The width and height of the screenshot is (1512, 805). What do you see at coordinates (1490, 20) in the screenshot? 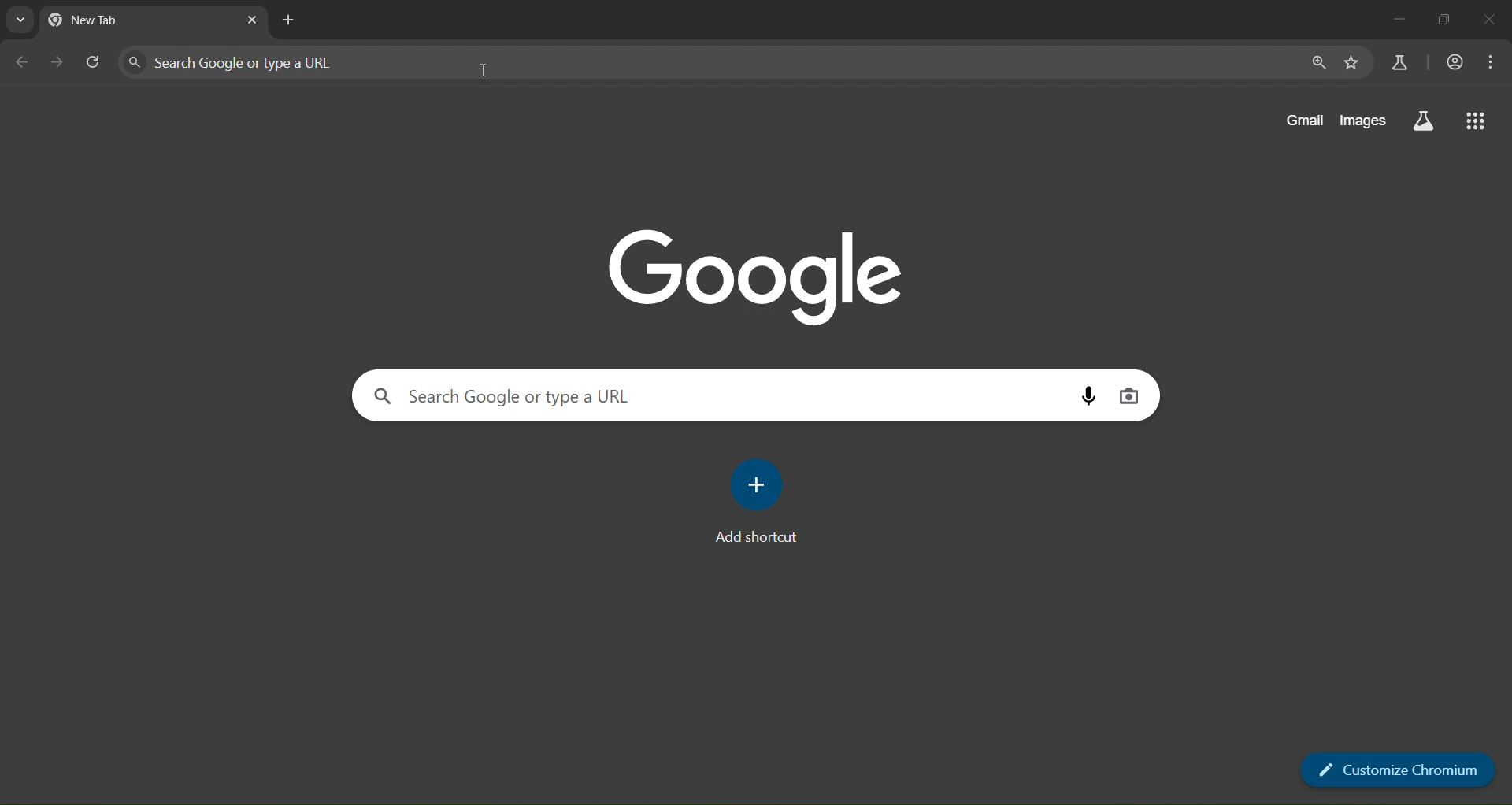
I see `close` at bounding box center [1490, 20].